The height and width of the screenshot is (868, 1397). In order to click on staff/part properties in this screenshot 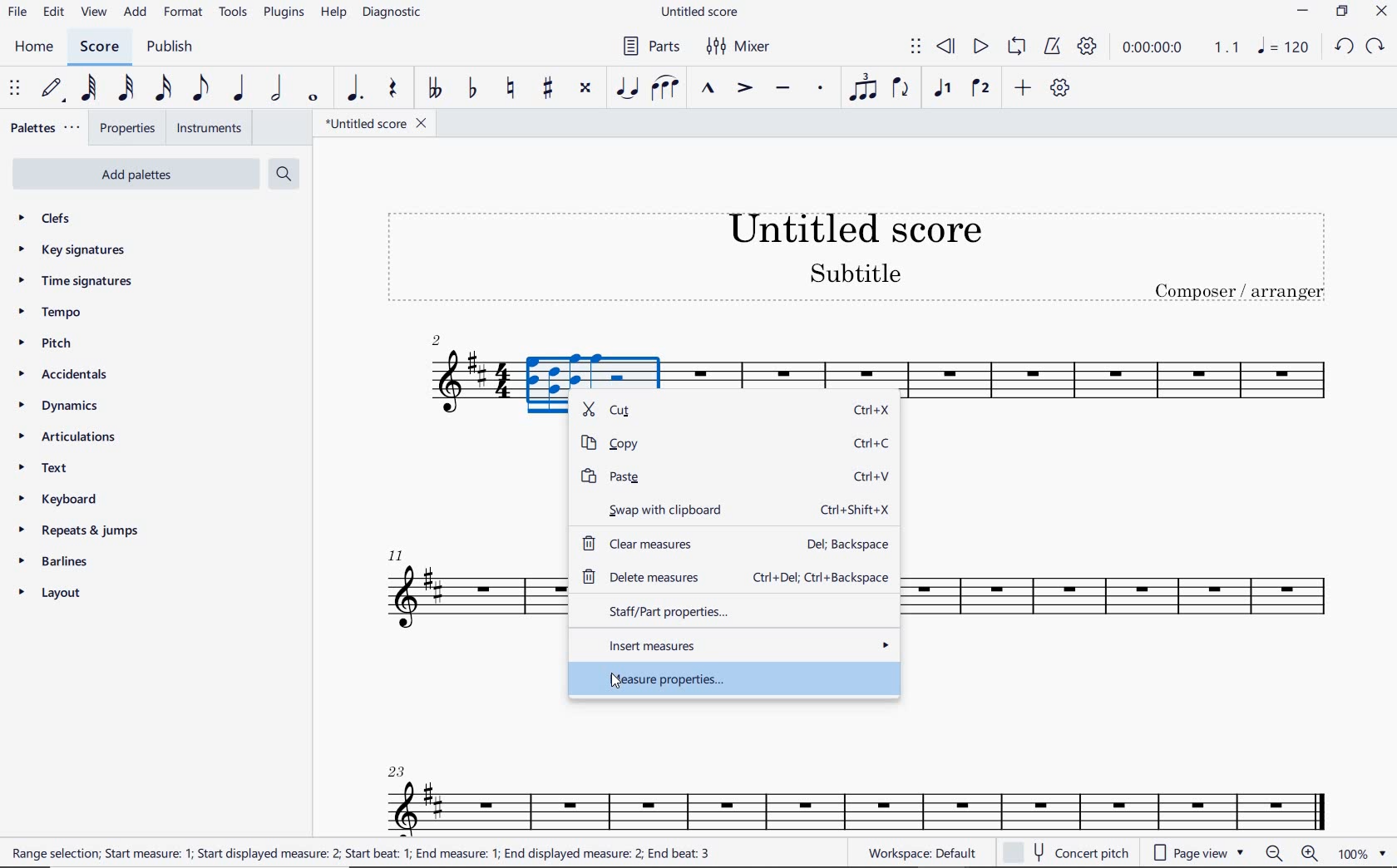, I will do `click(735, 609)`.